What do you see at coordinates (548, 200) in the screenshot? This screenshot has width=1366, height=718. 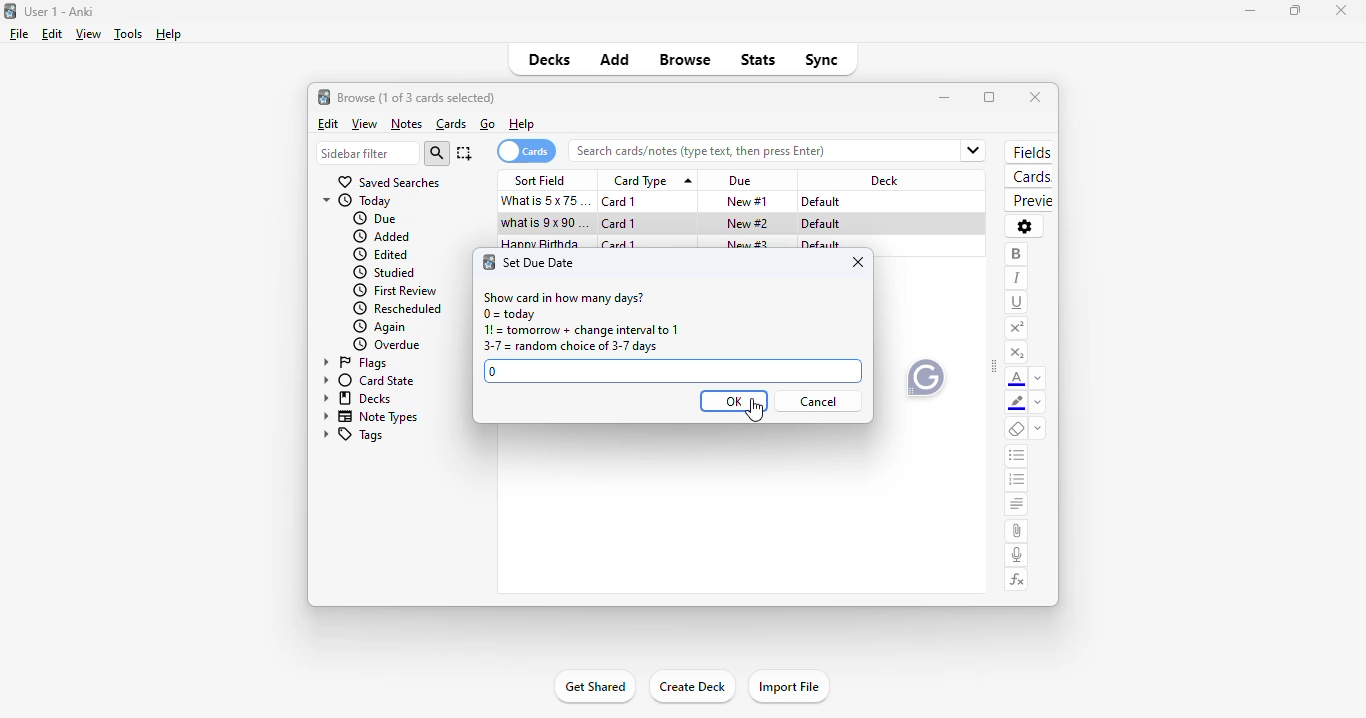 I see `what is 5x75=?` at bounding box center [548, 200].